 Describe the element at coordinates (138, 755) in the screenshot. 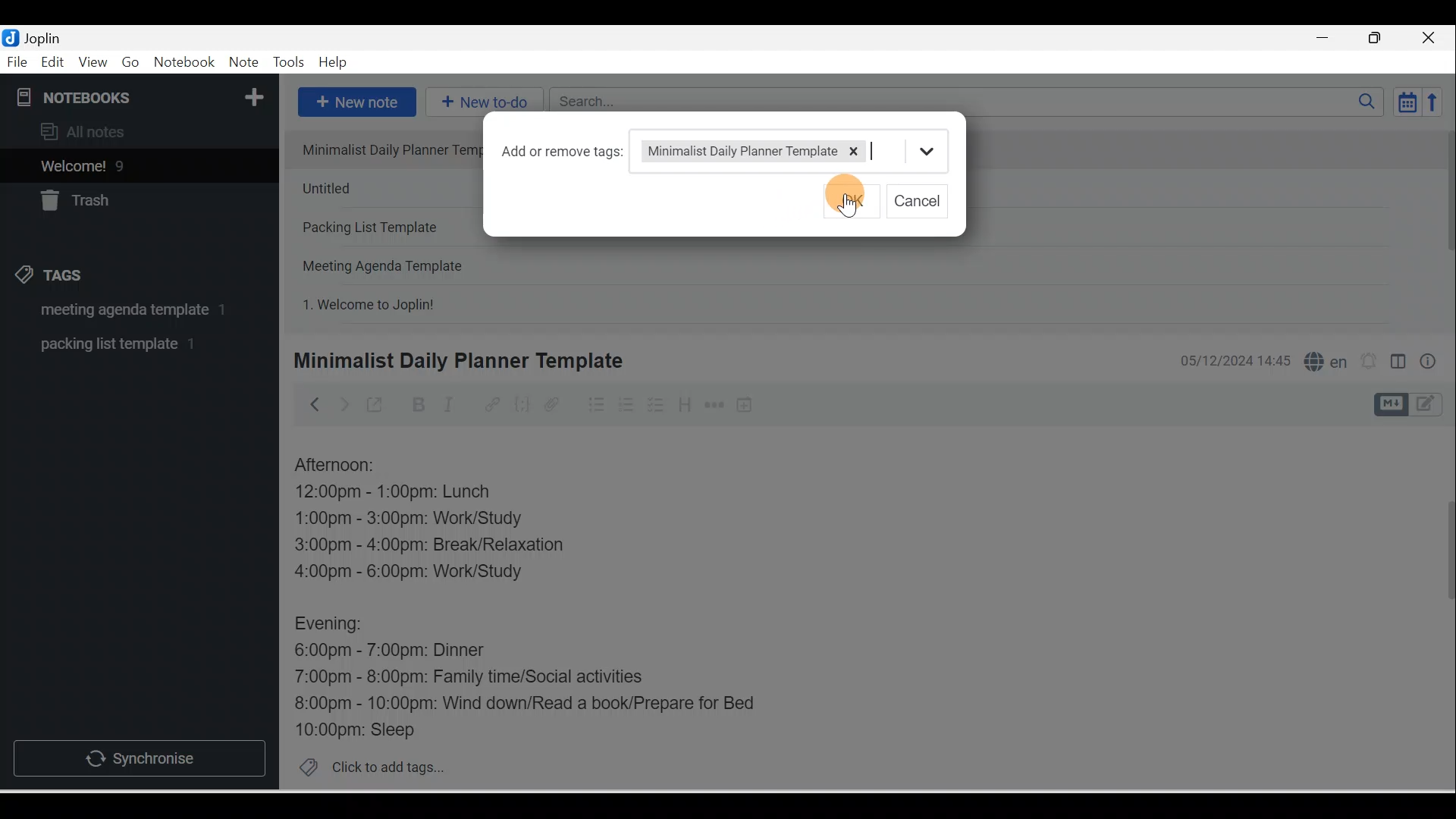

I see `Synchronise` at that location.